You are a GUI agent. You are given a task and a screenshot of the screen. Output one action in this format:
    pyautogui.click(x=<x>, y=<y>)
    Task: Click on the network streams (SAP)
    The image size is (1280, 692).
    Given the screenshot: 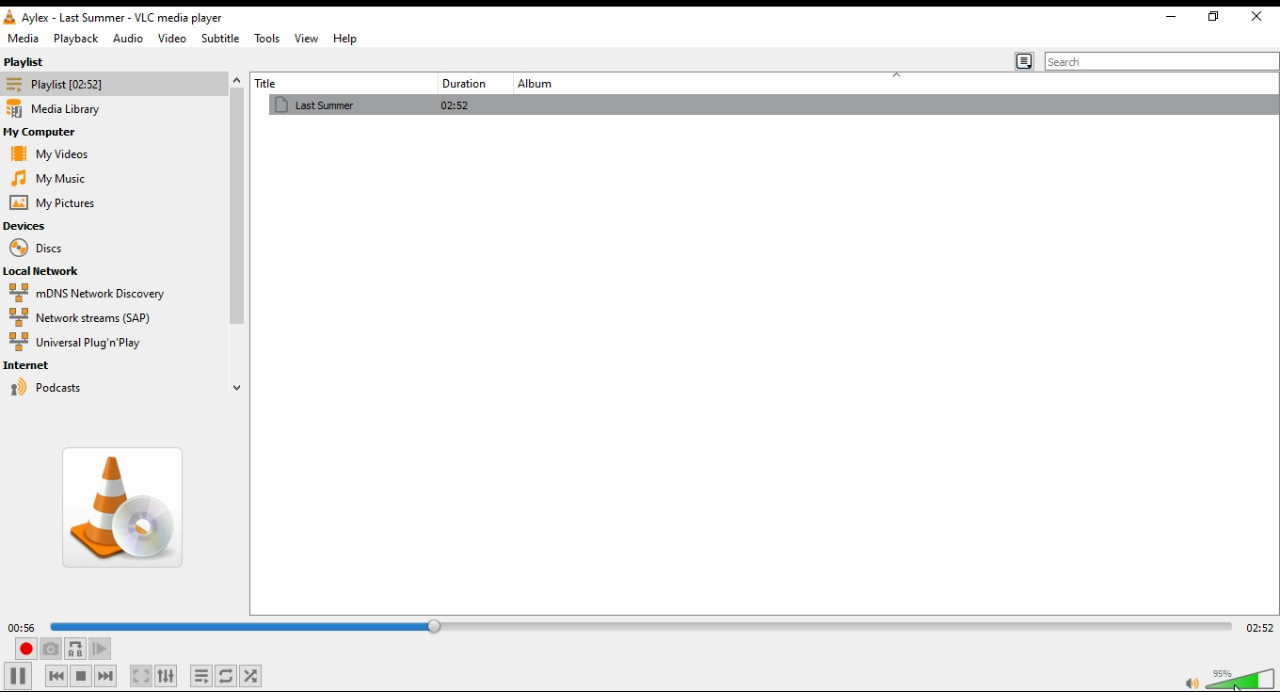 What is the action you would take?
    pyautogui.click(x=98, y=317)
    